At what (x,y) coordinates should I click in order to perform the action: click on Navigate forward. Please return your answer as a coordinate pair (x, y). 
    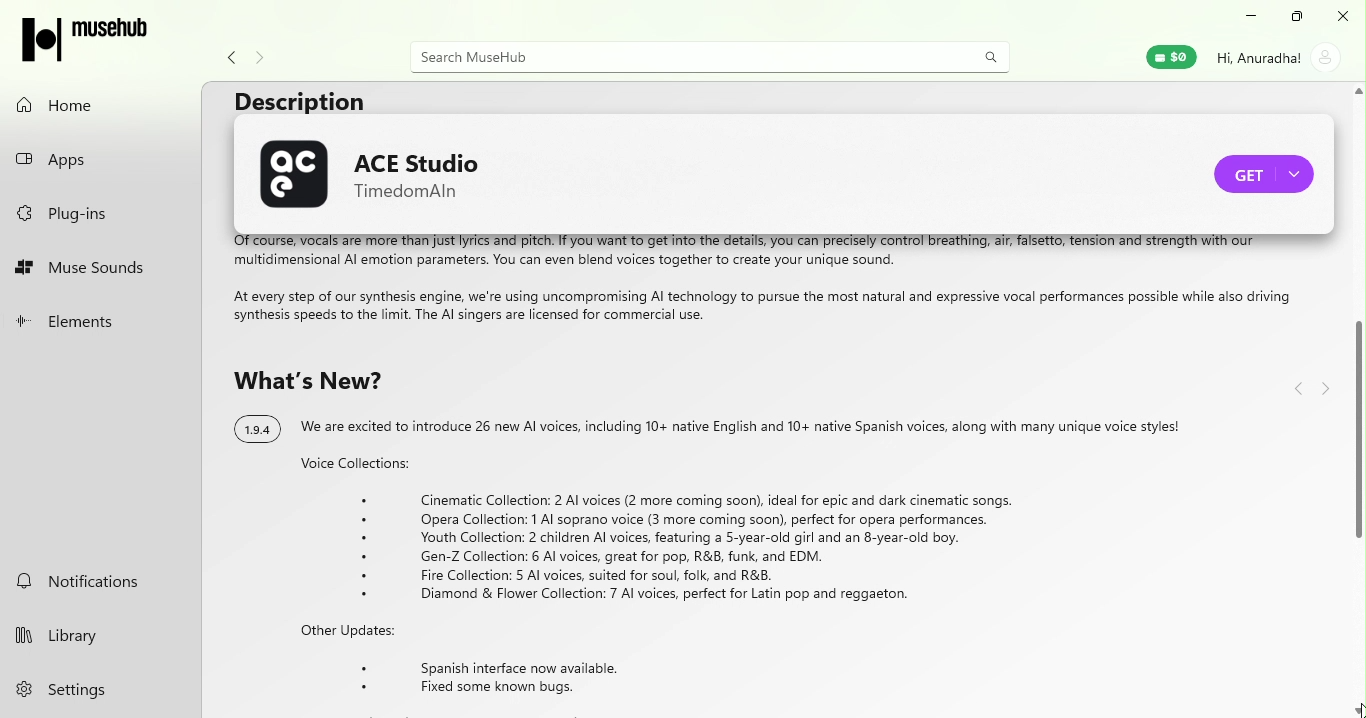
    Looking at the image, I should click on (258, 53).